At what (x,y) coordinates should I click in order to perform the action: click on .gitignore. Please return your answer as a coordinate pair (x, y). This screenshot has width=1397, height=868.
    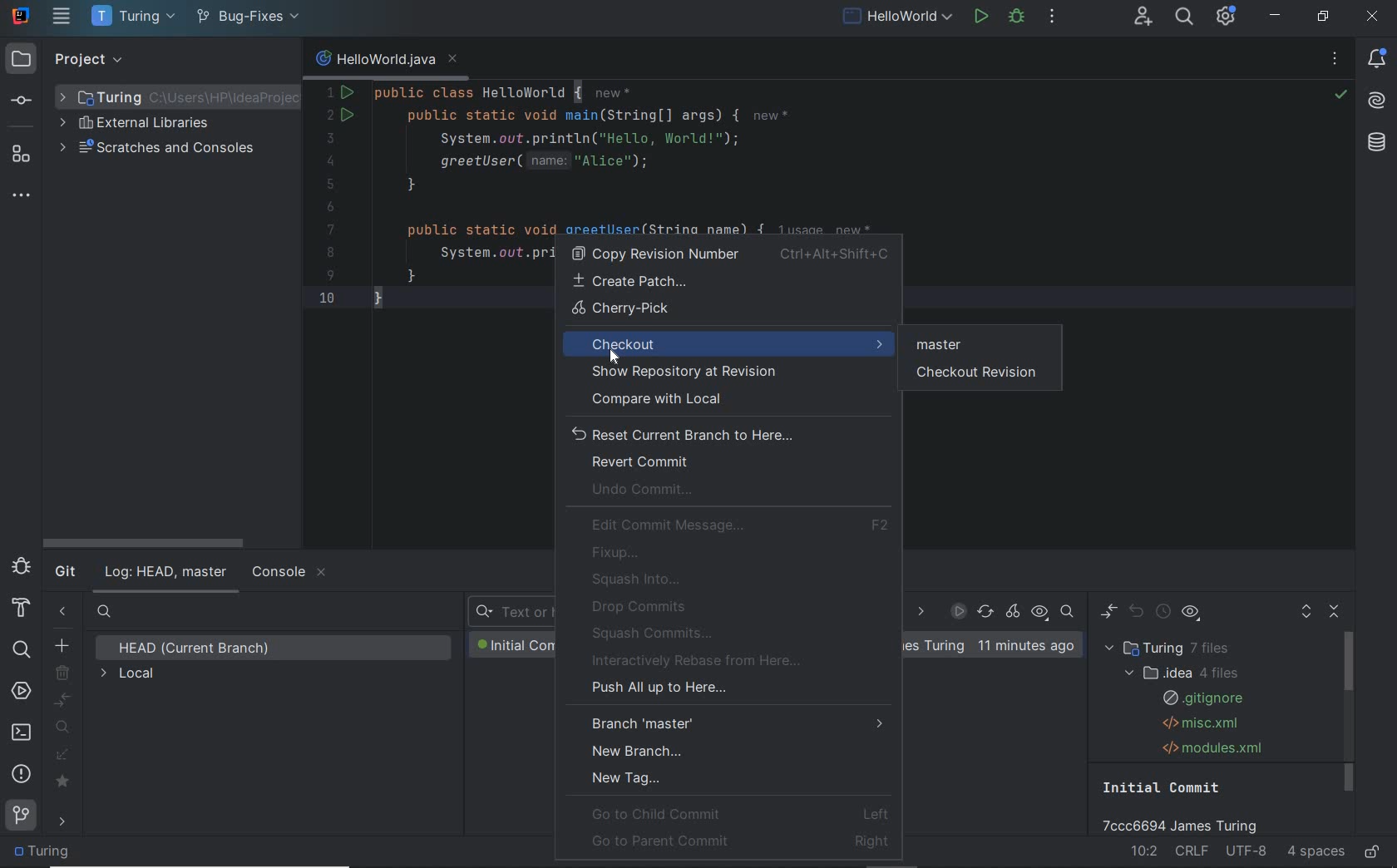
    Looking at the image, I should click on (1201, 698).